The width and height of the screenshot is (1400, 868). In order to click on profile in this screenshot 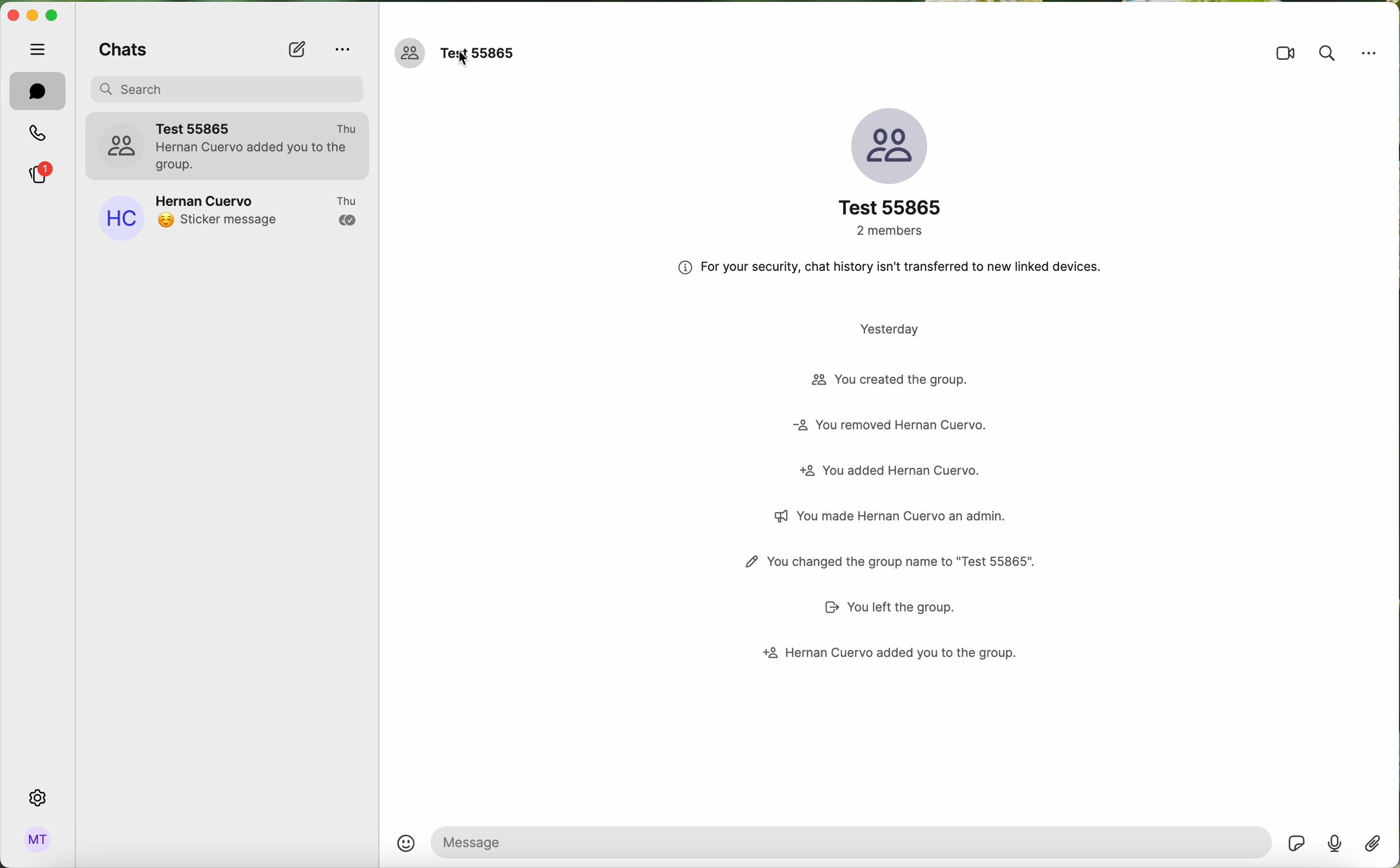, I will do `click(38, 841)`.